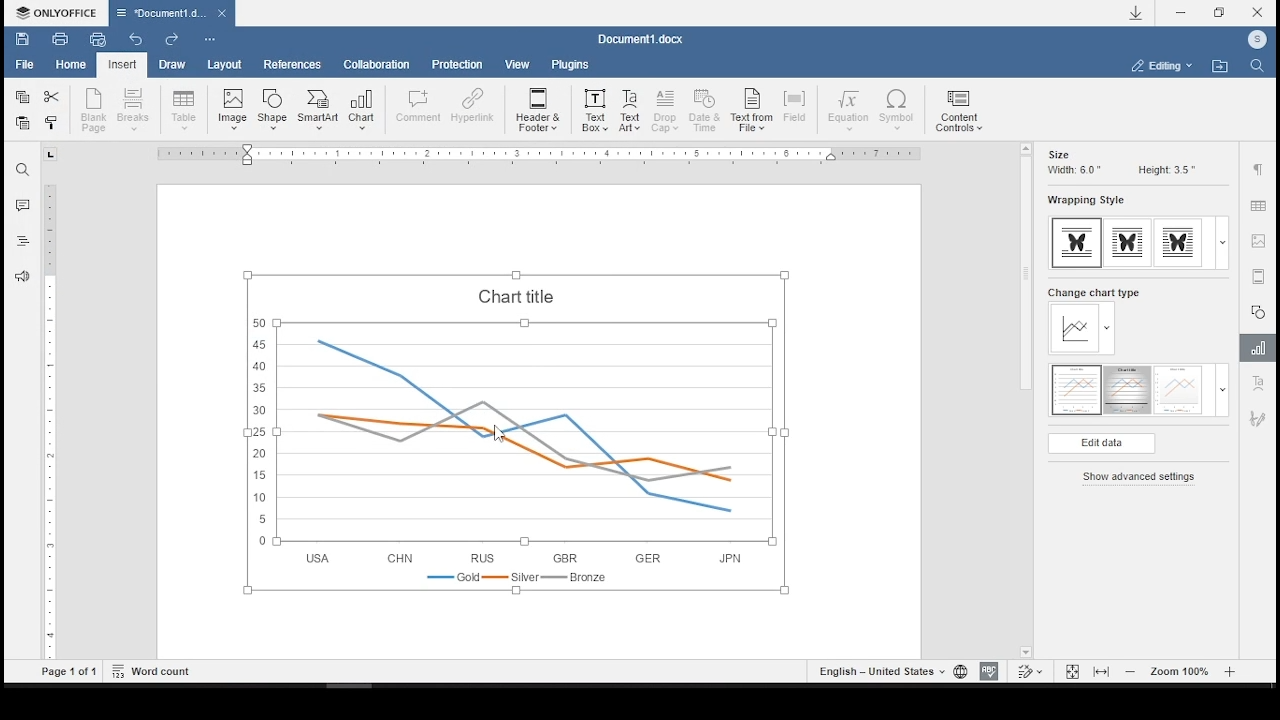 This screenshot has width=1280, height=720. What do you see at coordinates (1104, 670) in the screenshot?
I see `fit to width` at bounding box center [1104, 670].